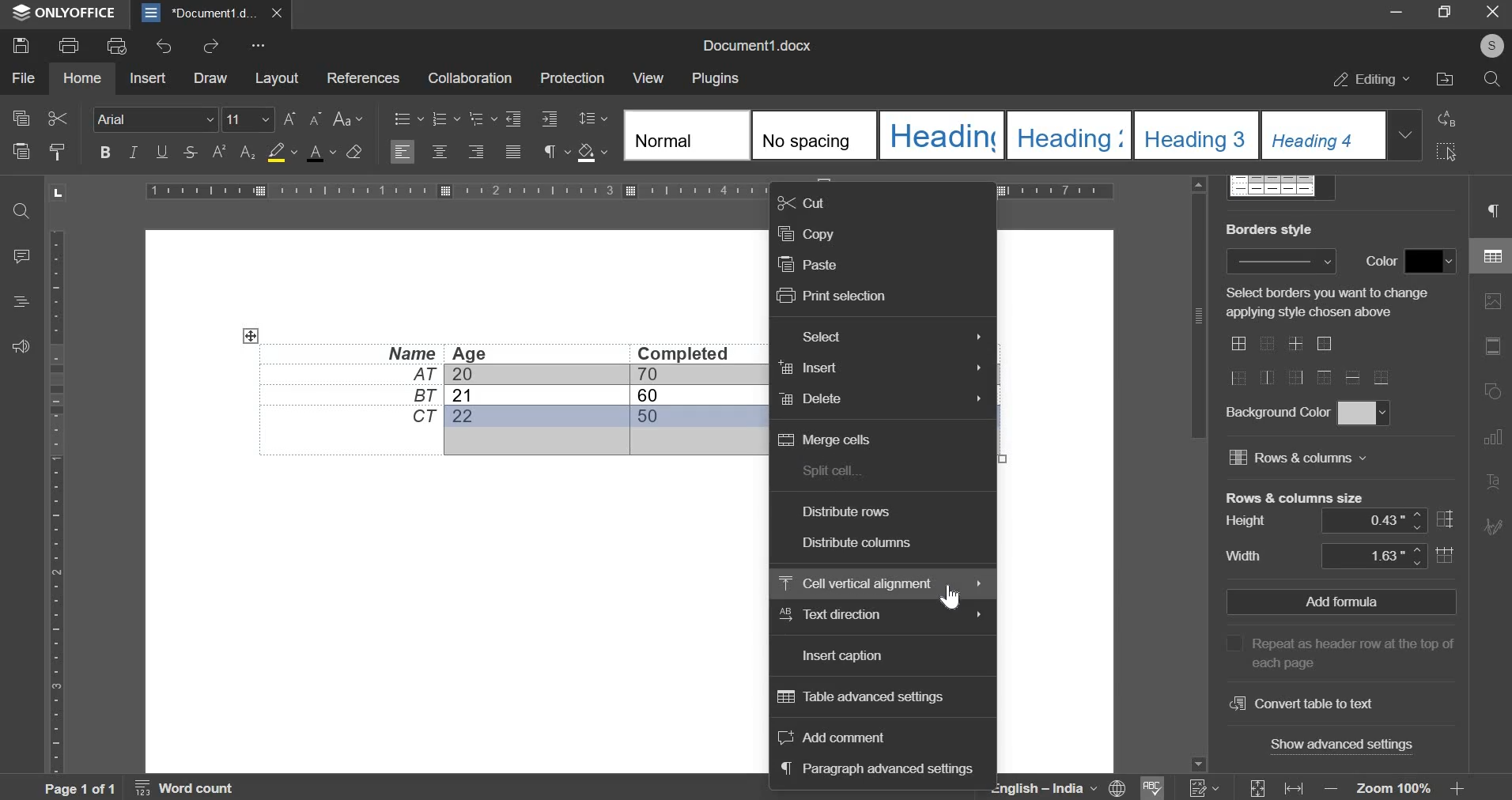  I want to click on increase indent, so click(513, 118).